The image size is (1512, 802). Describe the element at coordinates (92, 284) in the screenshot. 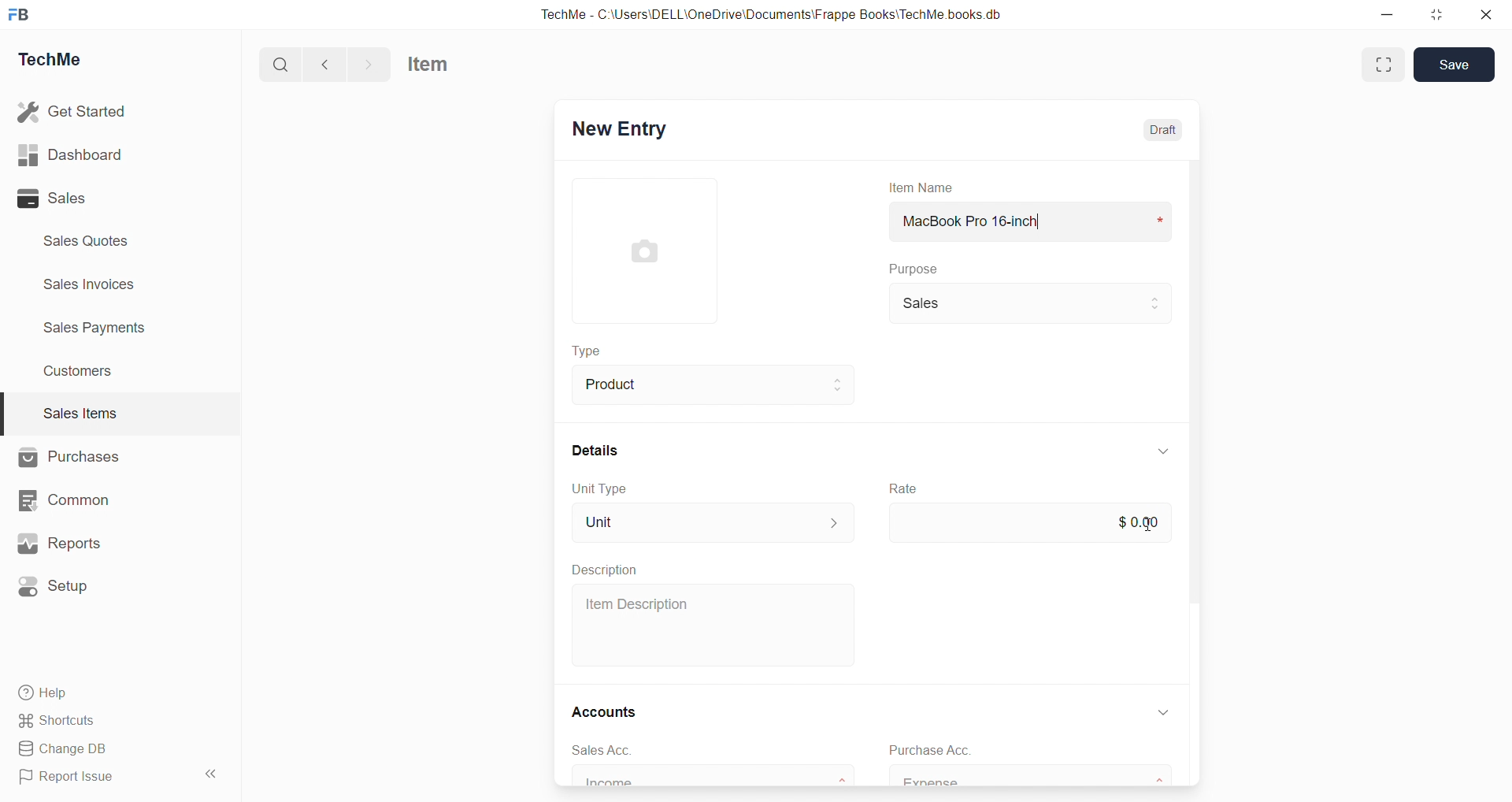

I see `Sales invoices` at that location.